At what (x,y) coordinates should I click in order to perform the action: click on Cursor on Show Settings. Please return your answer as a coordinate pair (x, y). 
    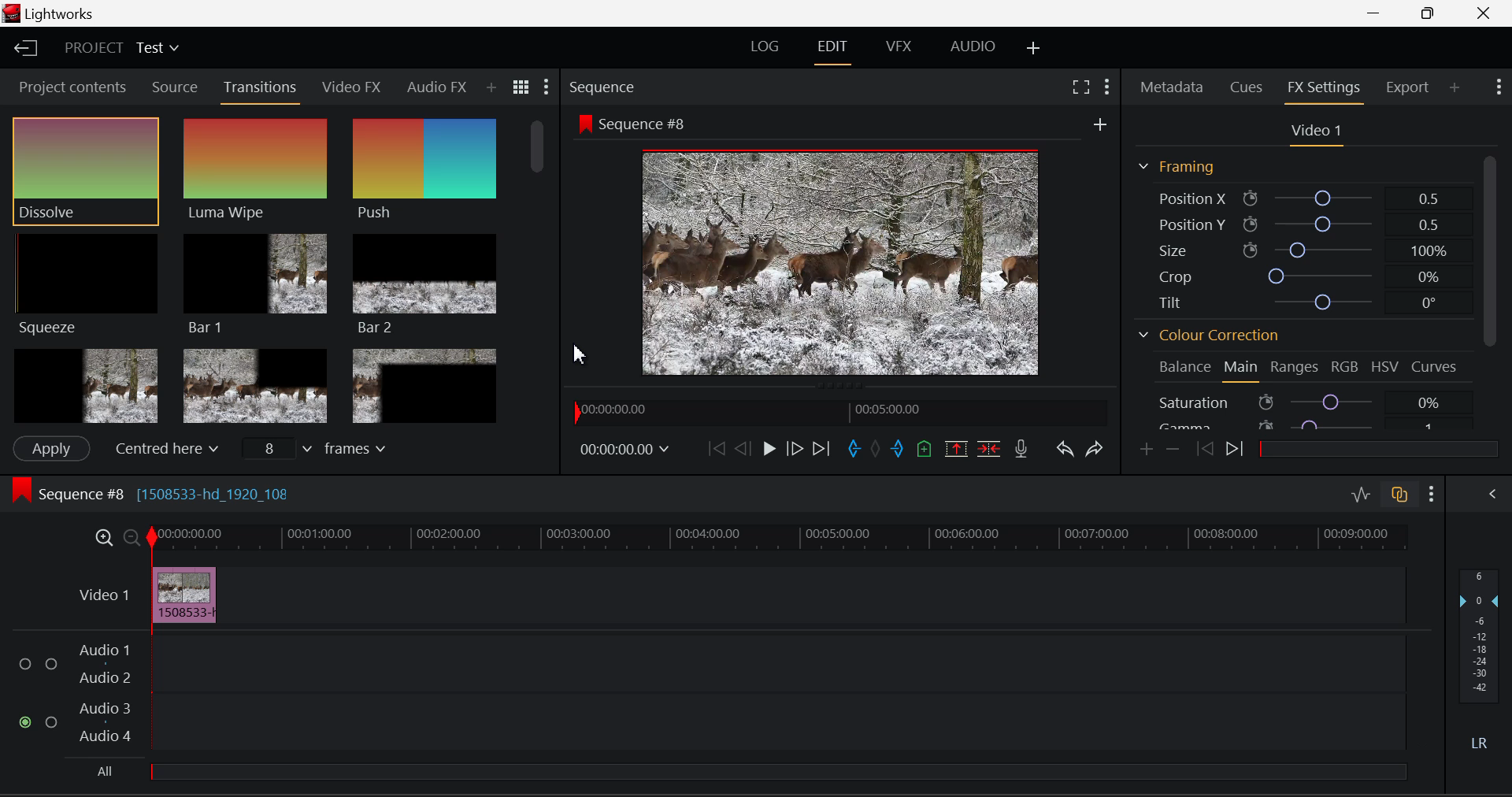
    Looking at the image, I should click on (1107, 87).